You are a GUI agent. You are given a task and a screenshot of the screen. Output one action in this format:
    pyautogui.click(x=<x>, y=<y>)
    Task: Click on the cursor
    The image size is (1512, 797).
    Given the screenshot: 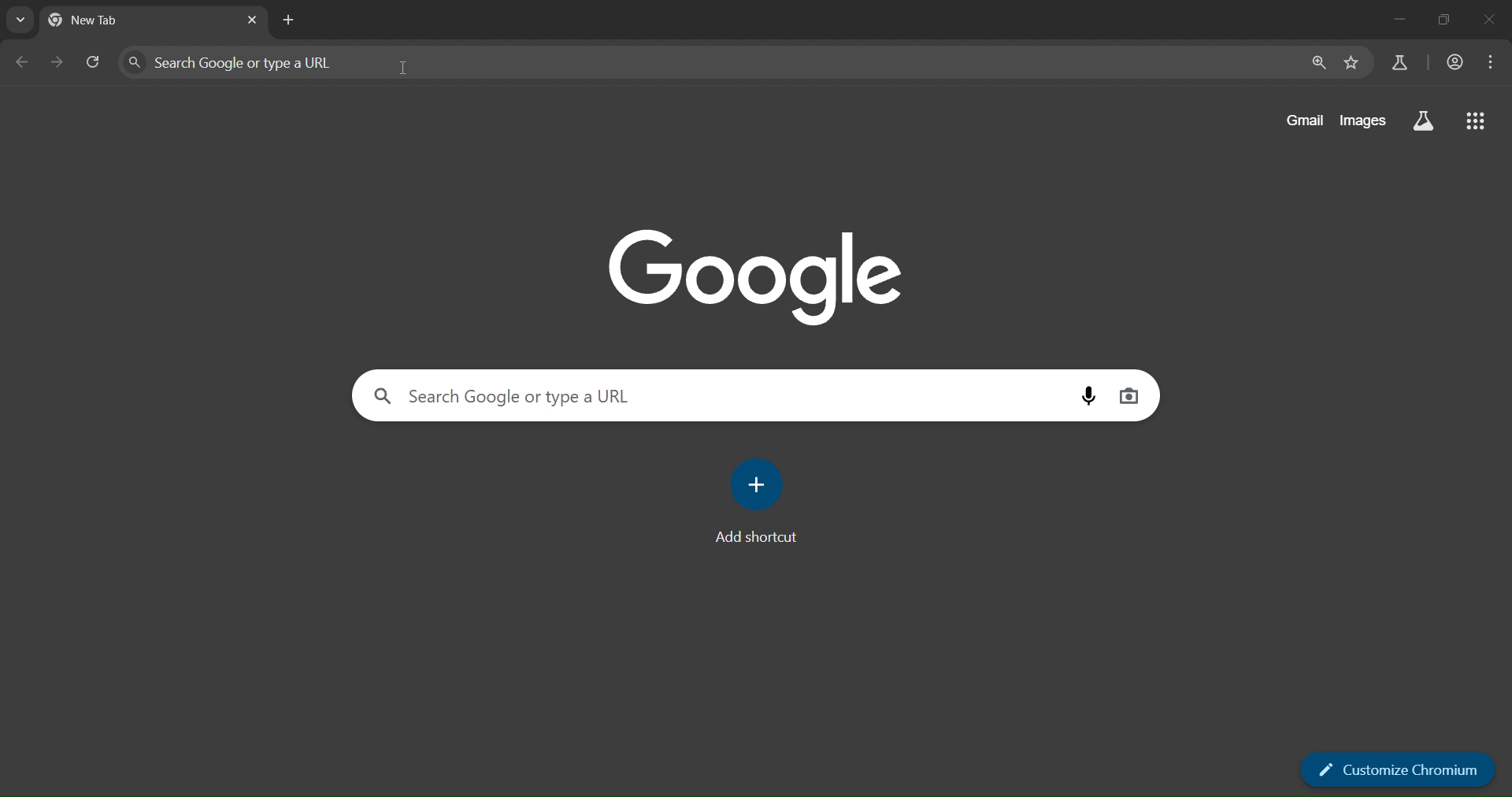 What is the action you would take?
    pyautogui.click(x=405, y=71)
    